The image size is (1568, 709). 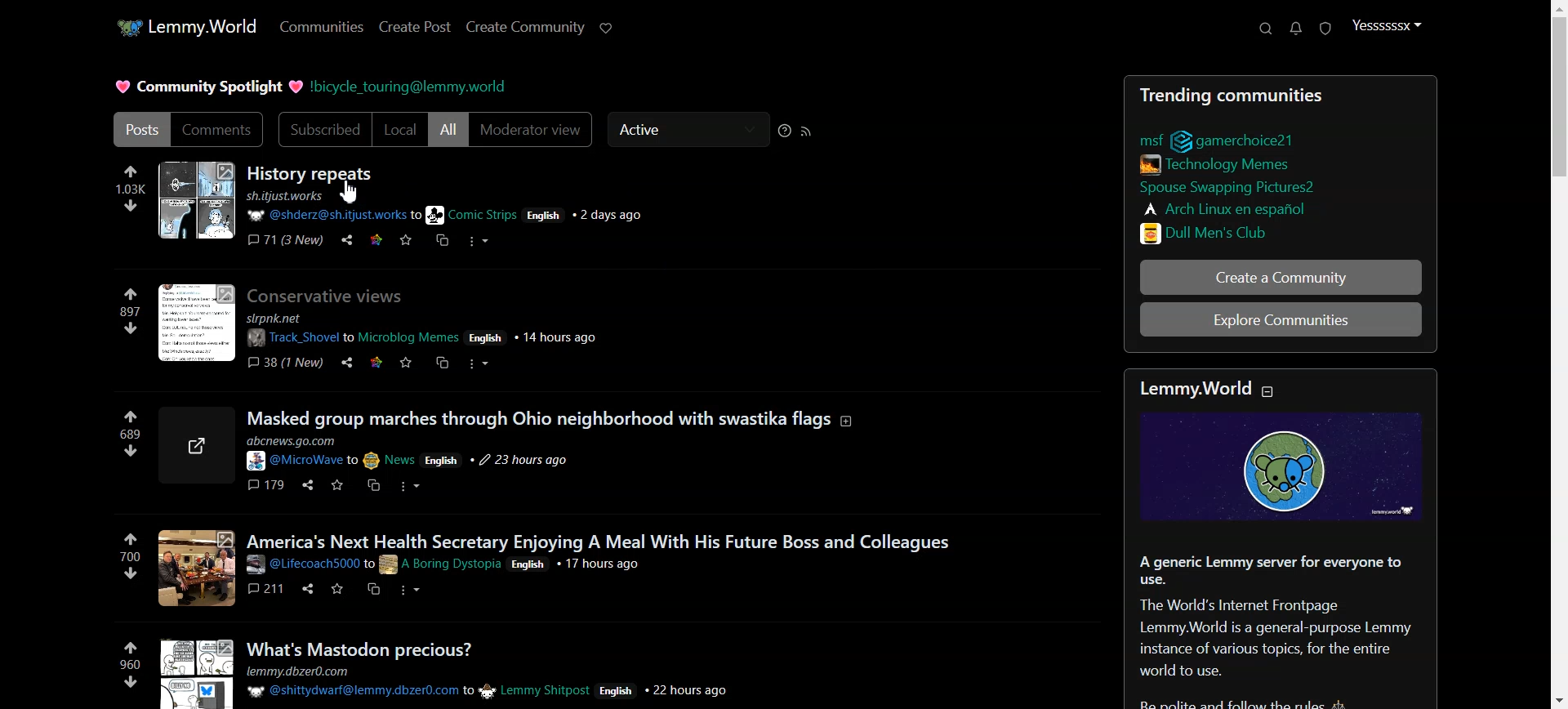 What do you see at coordinates (198, 673) in the screenshot?
I see `Image` at bounding box center [198, 673].